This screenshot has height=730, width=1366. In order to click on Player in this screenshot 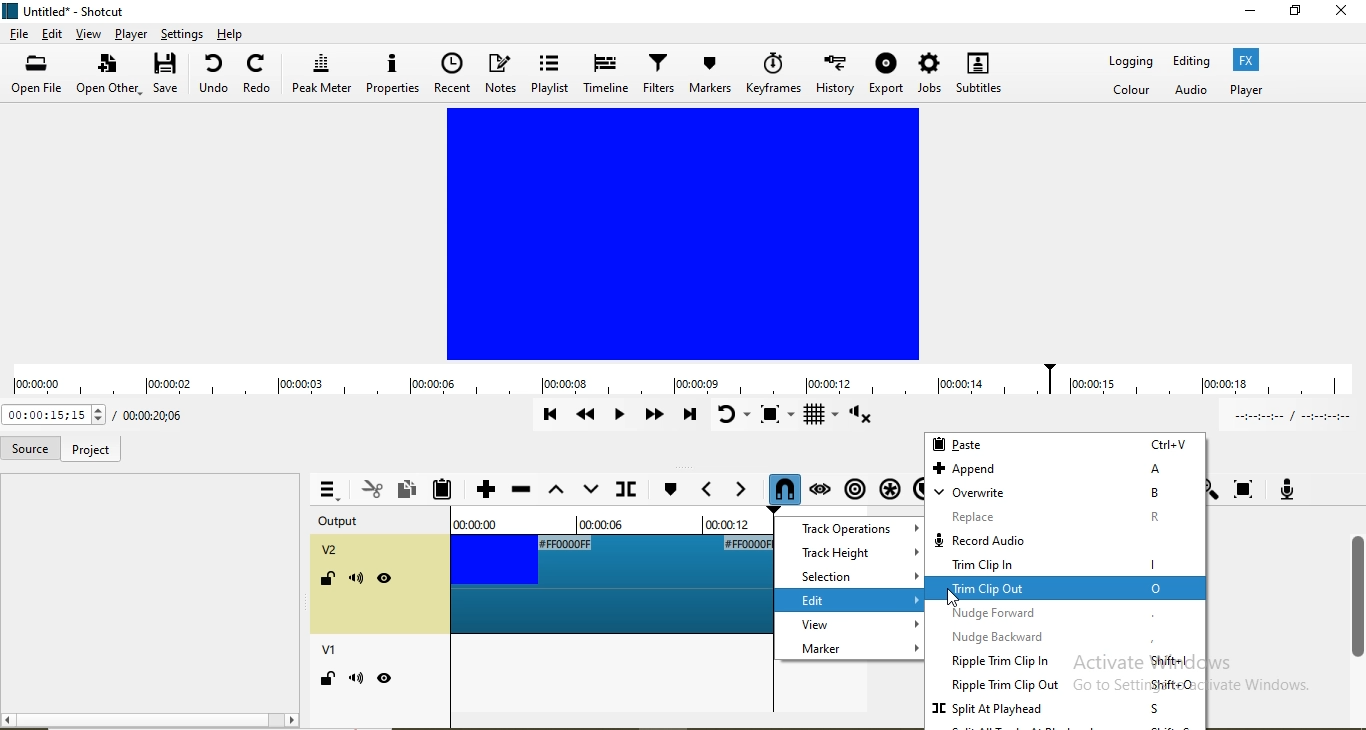, I will do `click(1246, 89)`.